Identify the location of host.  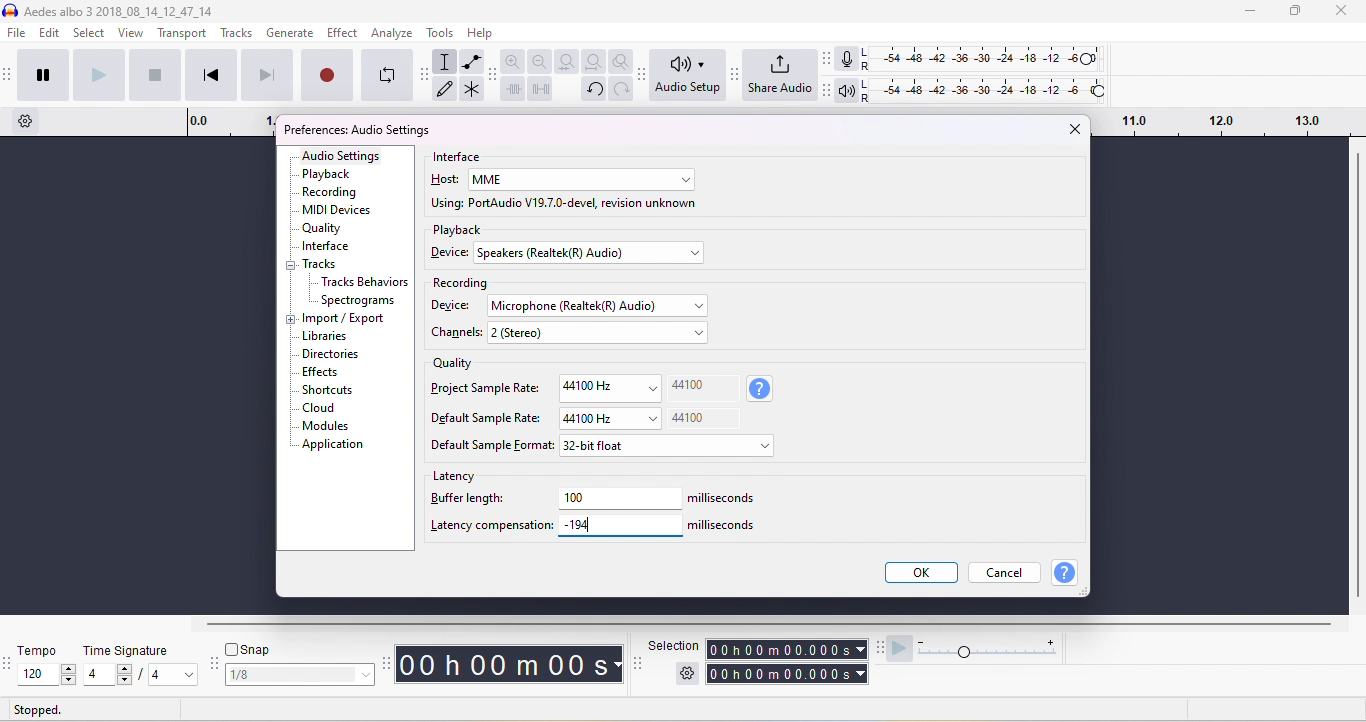
(446, 180).